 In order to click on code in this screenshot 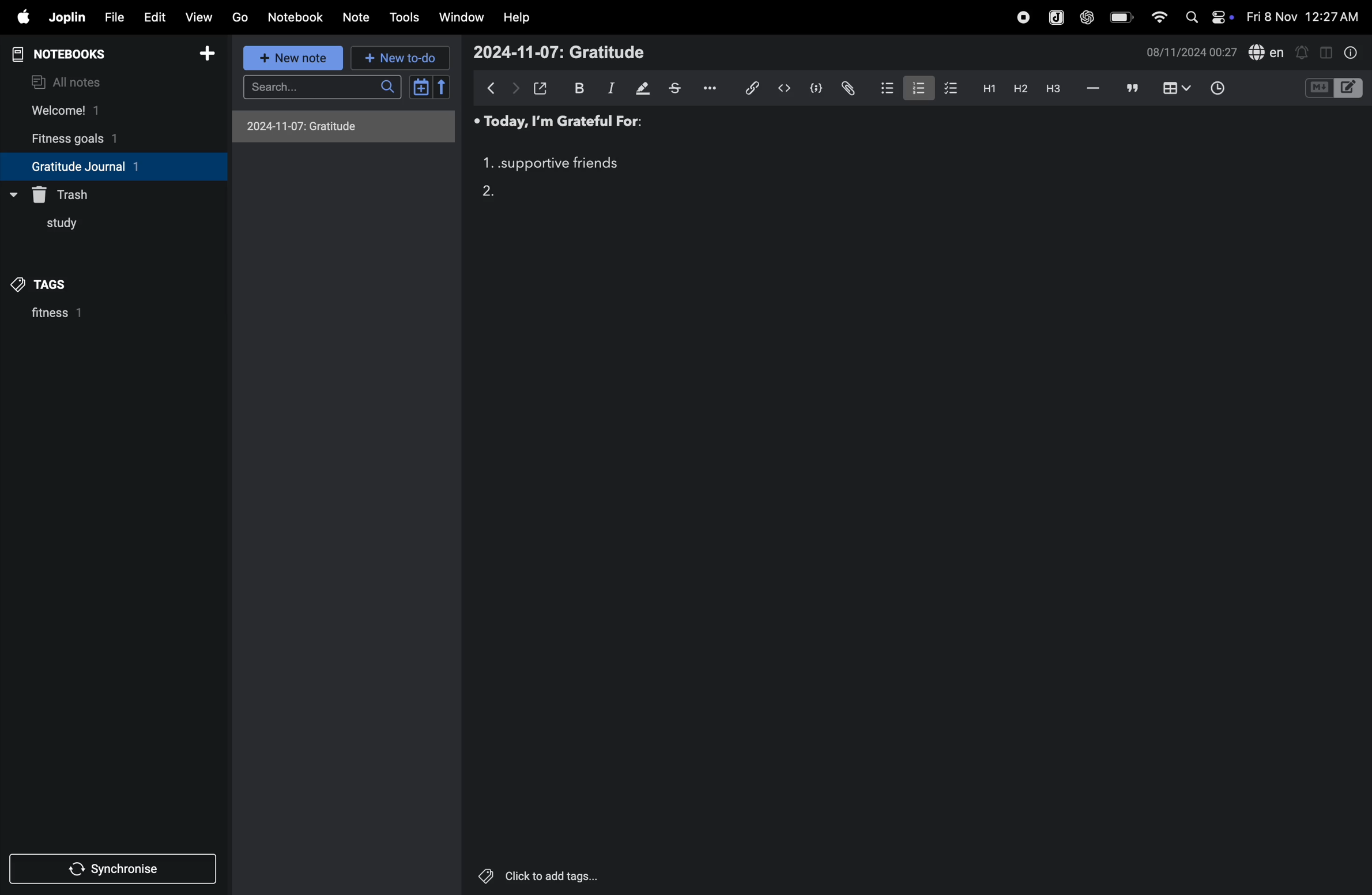, I will do `click(813, 89)`.